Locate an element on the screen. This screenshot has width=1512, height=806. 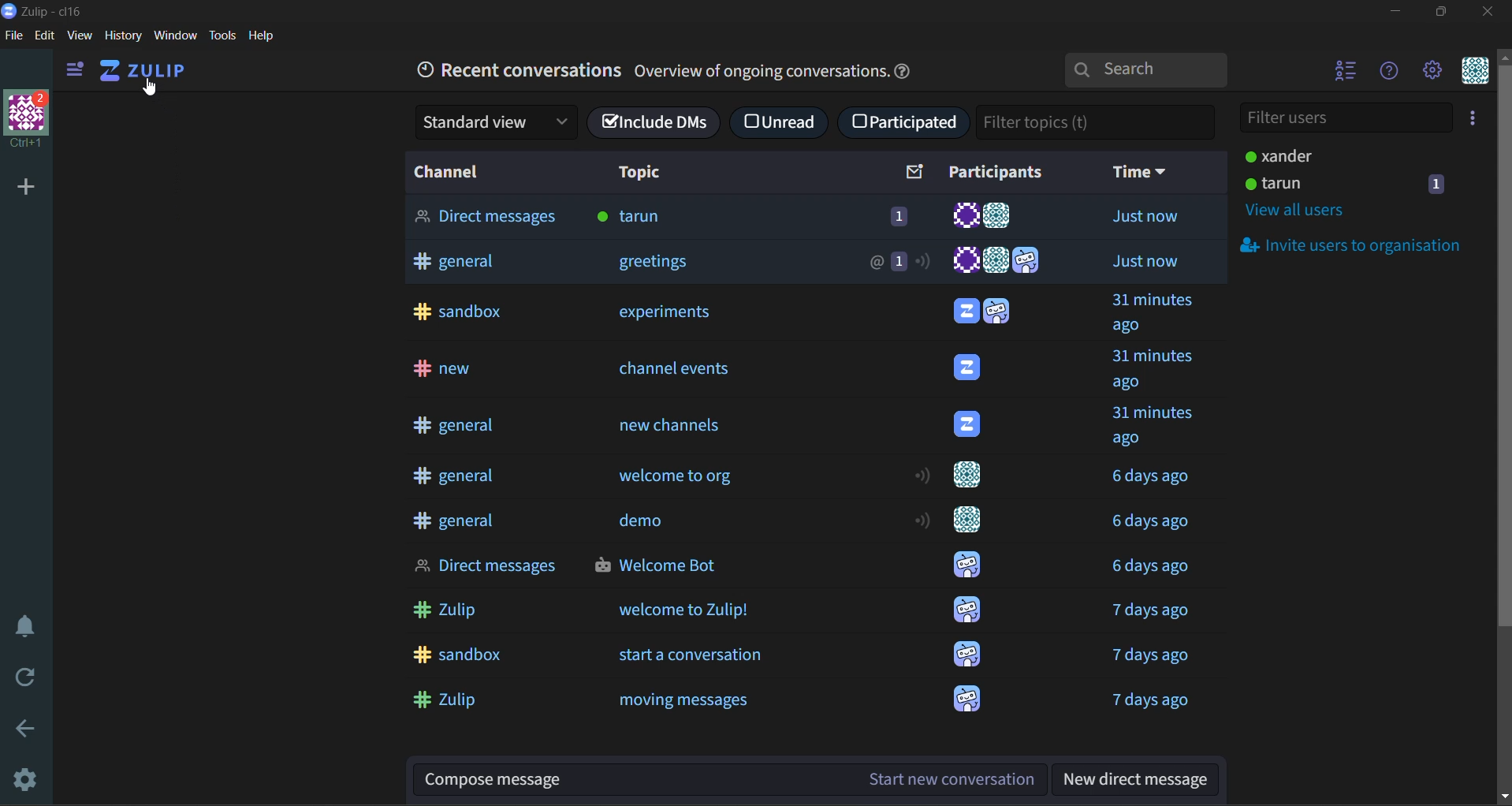
Zulip is located at coordinates (448, 699).